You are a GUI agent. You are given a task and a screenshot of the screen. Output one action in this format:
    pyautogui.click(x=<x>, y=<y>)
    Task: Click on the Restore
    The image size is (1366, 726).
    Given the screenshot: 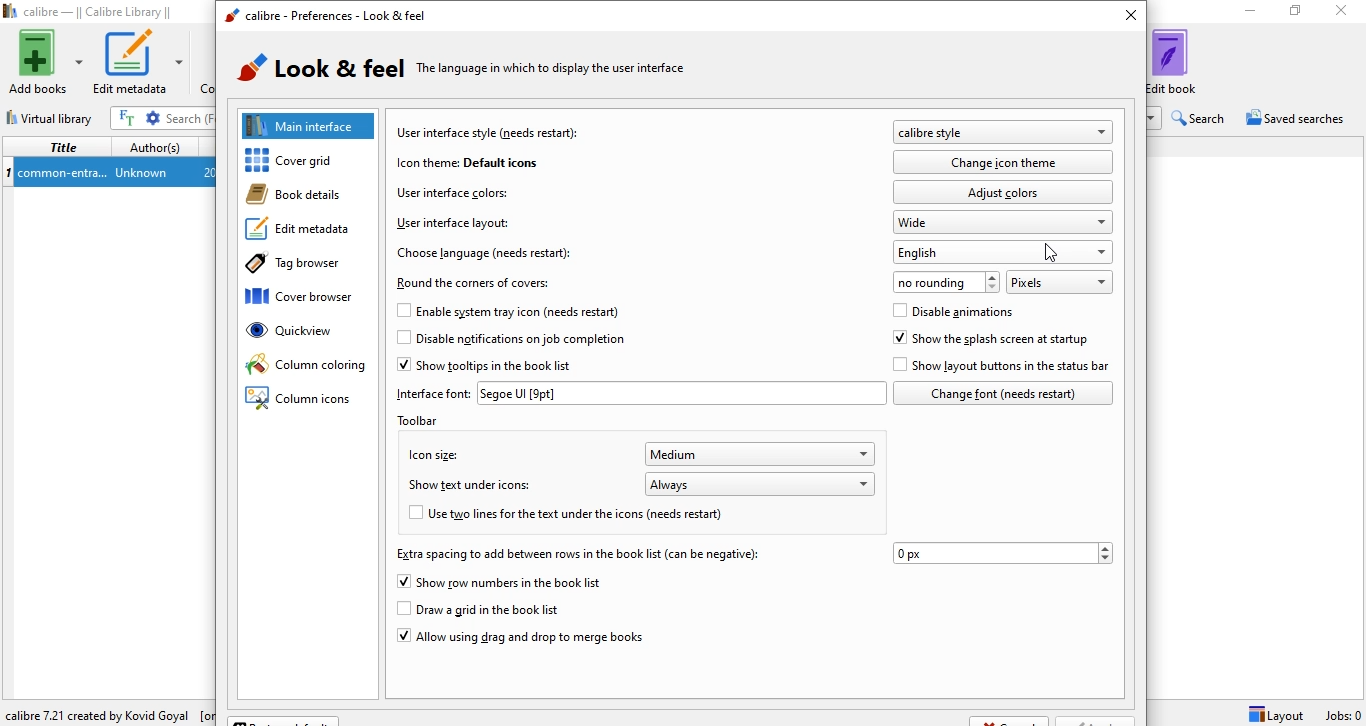 What is the action you would take?
    pyautogui.click(x=1295, y=14)
    